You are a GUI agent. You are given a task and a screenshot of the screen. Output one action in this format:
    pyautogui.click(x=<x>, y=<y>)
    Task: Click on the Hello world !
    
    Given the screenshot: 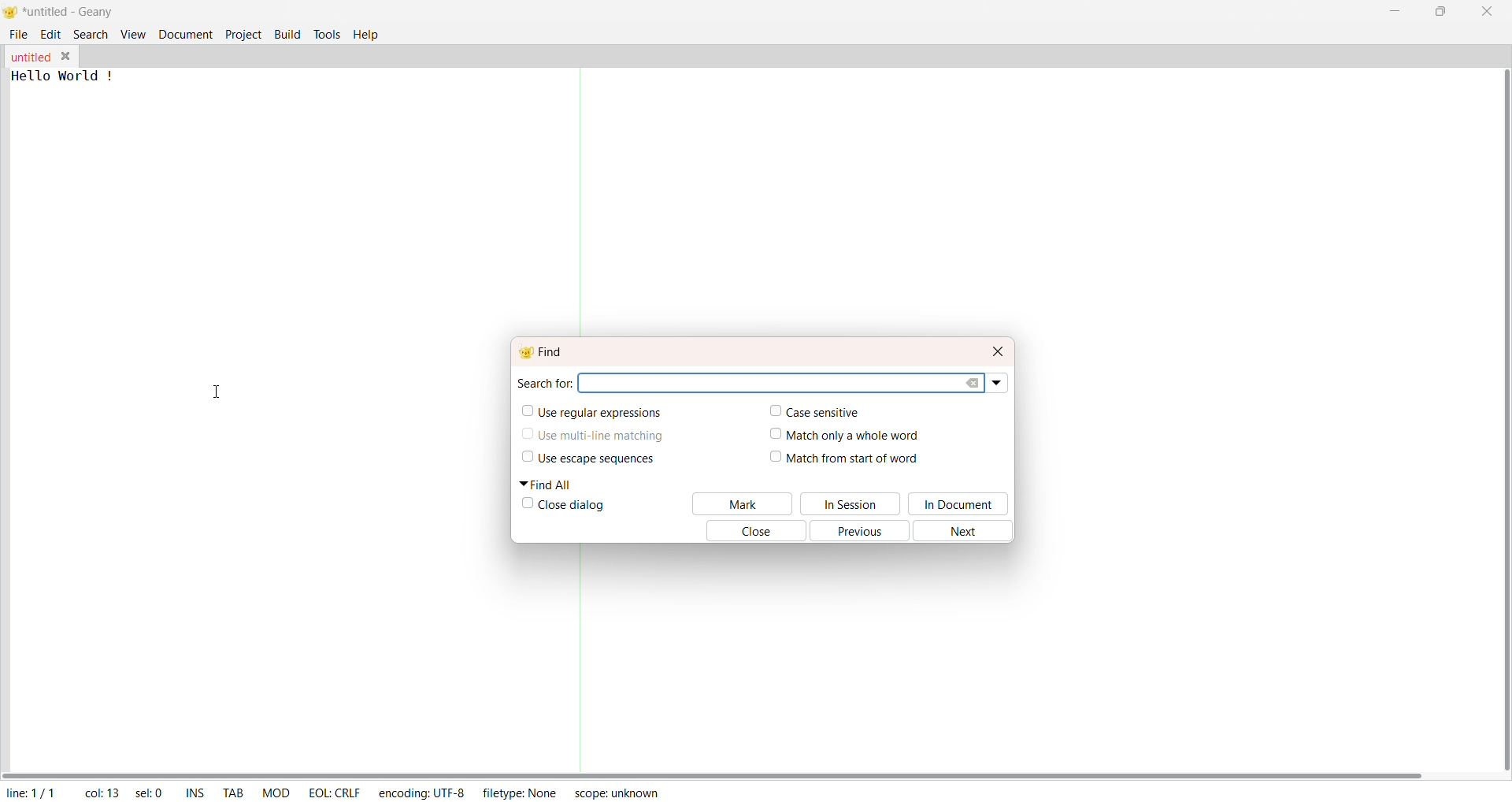 What is the action you would take?
    pyautogui.click(x=66, y=76)
    